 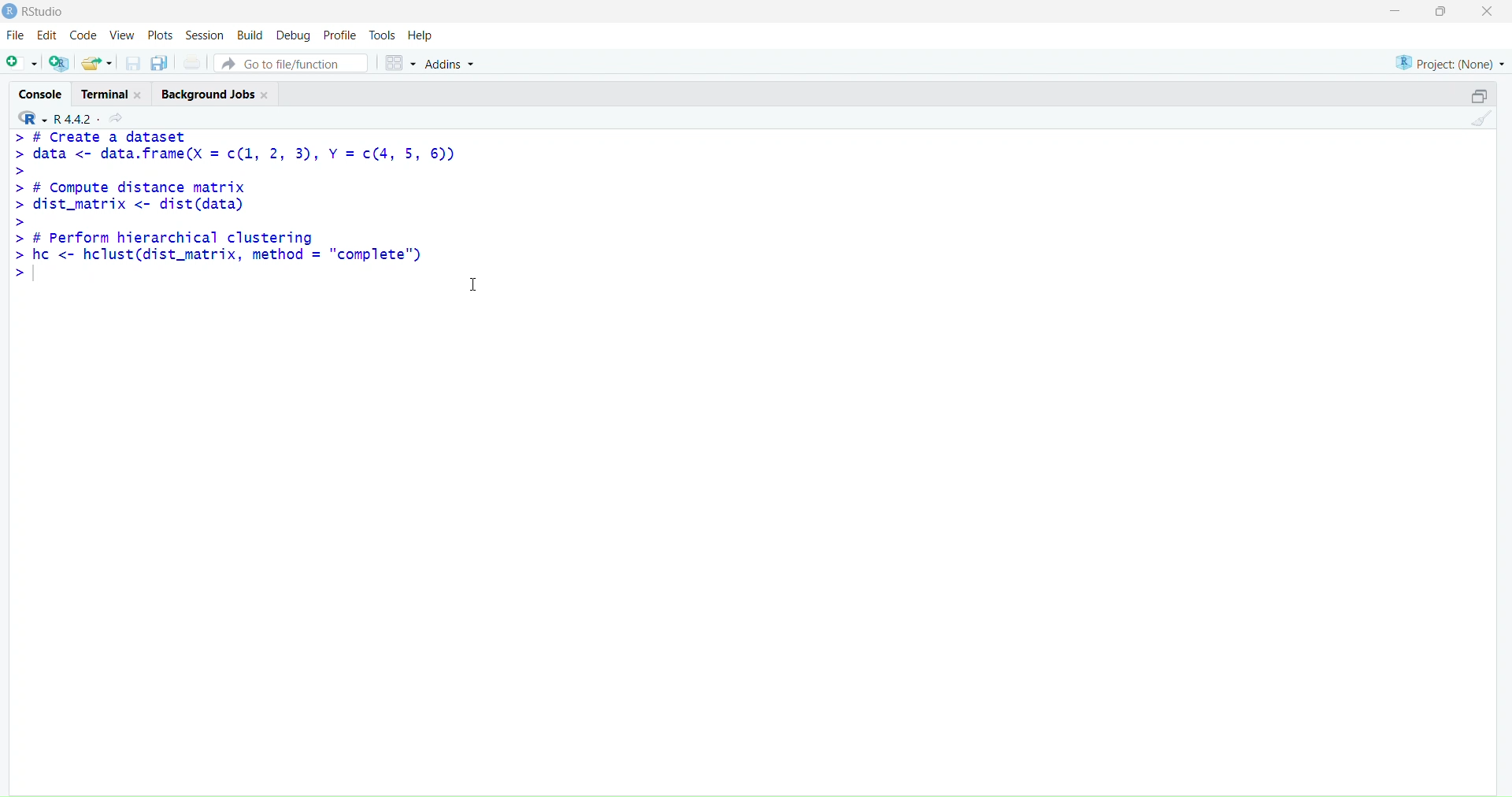 What do you see at coordinates (461, 61) in the screenshot?
I see `Addins` at bounding box center [461, 61].